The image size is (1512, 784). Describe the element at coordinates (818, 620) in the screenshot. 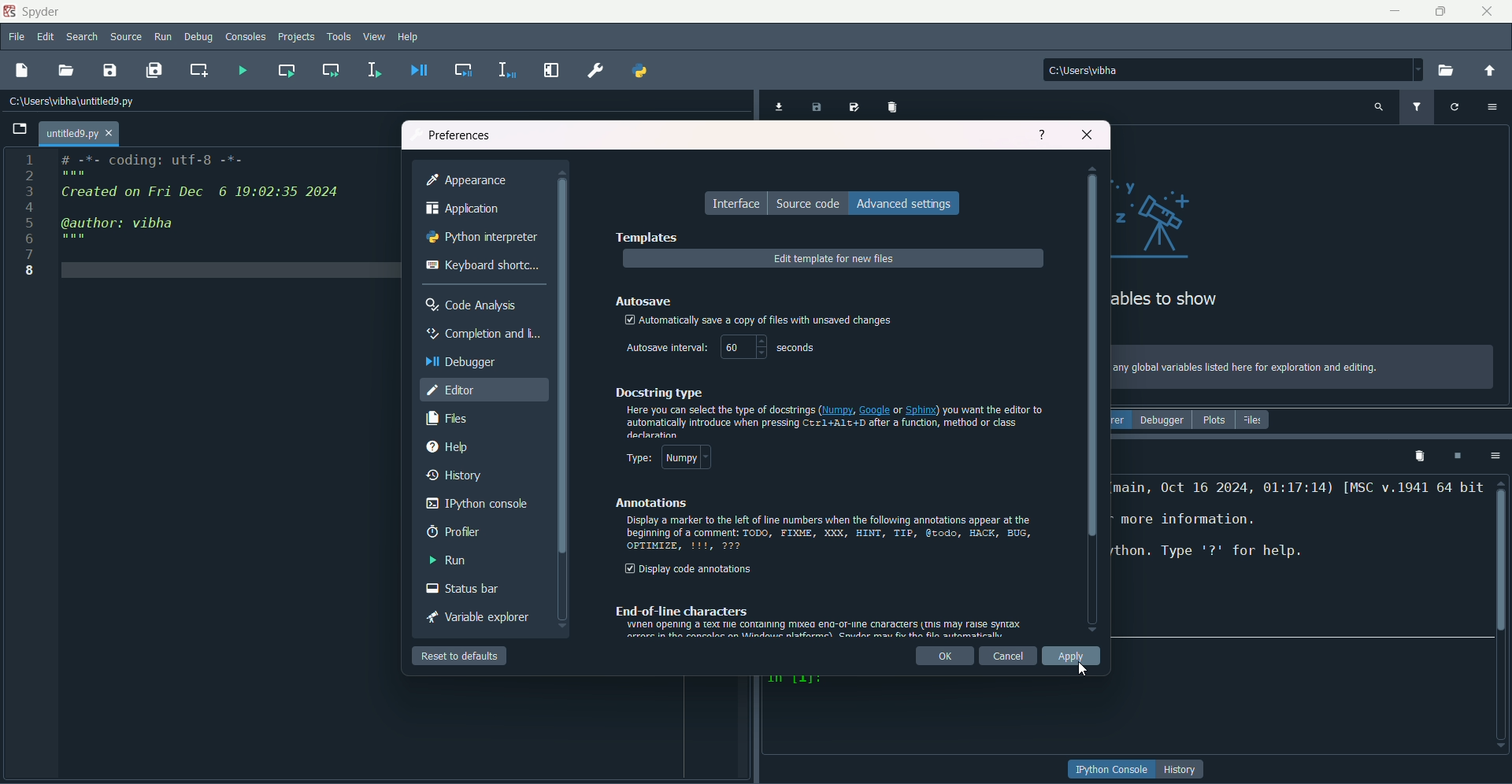

I see `text` at that location.